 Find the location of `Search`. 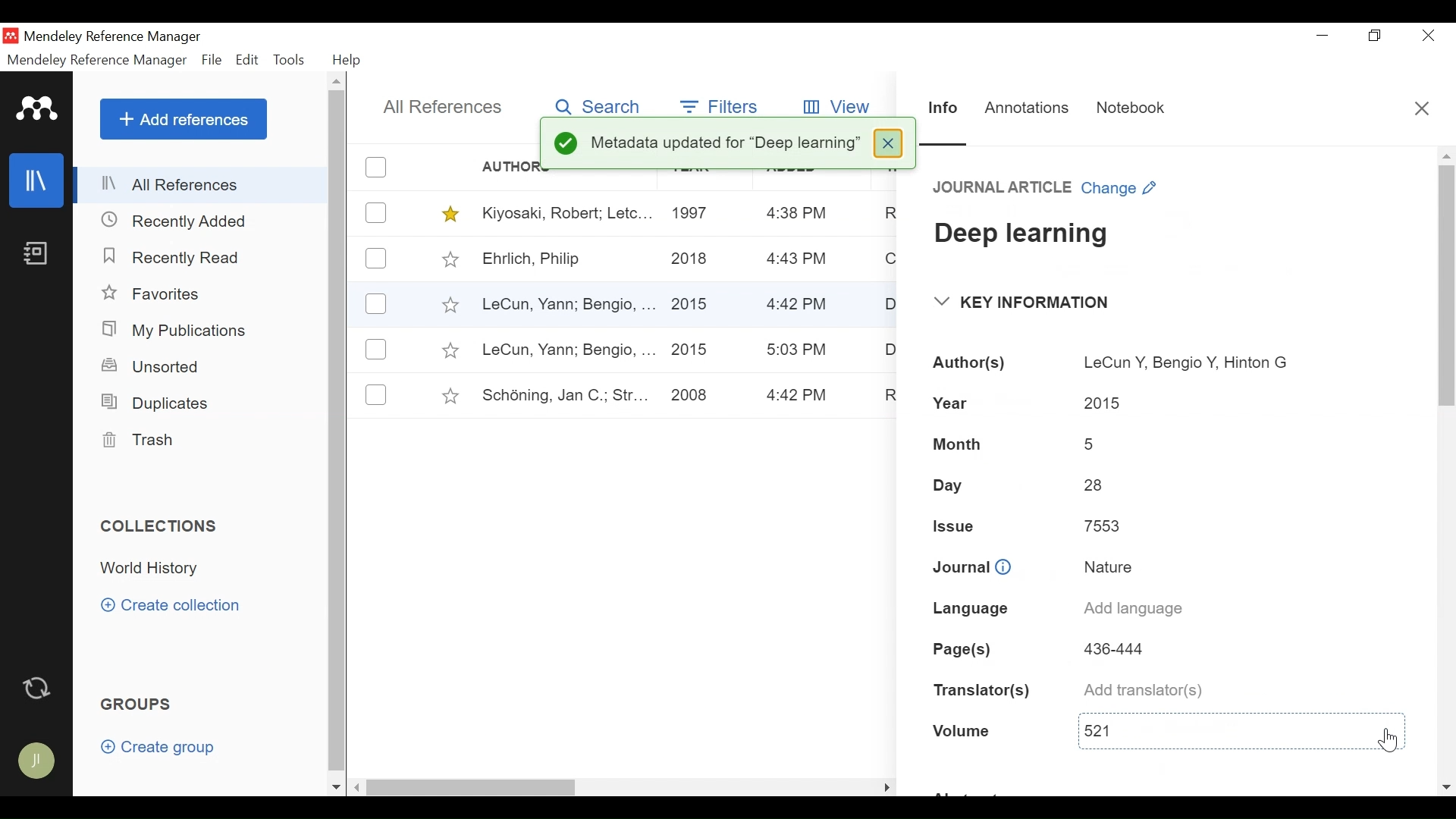

Search is located at coordinates (595, 104).